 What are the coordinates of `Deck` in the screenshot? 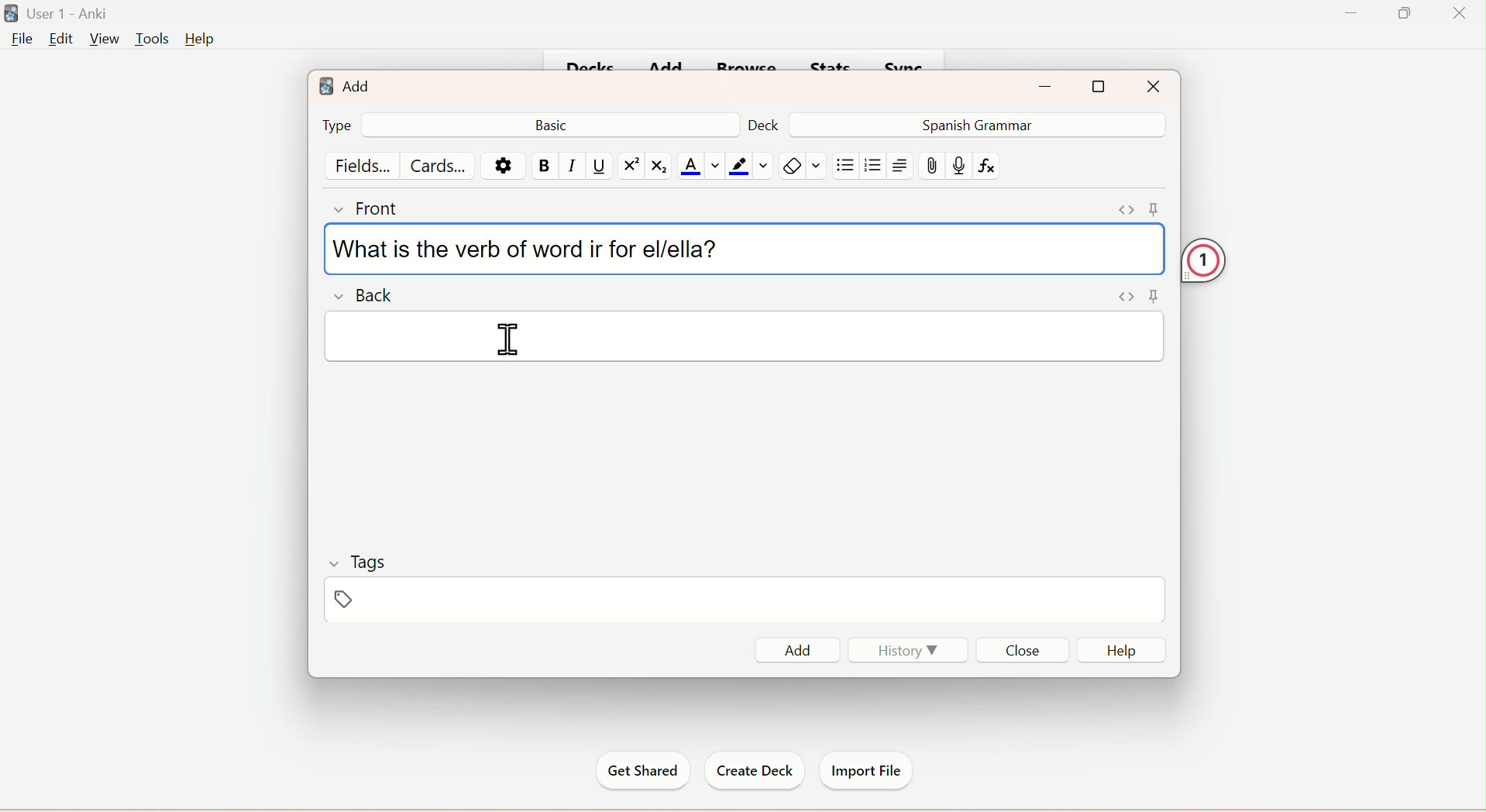 It's located at (764, 124).